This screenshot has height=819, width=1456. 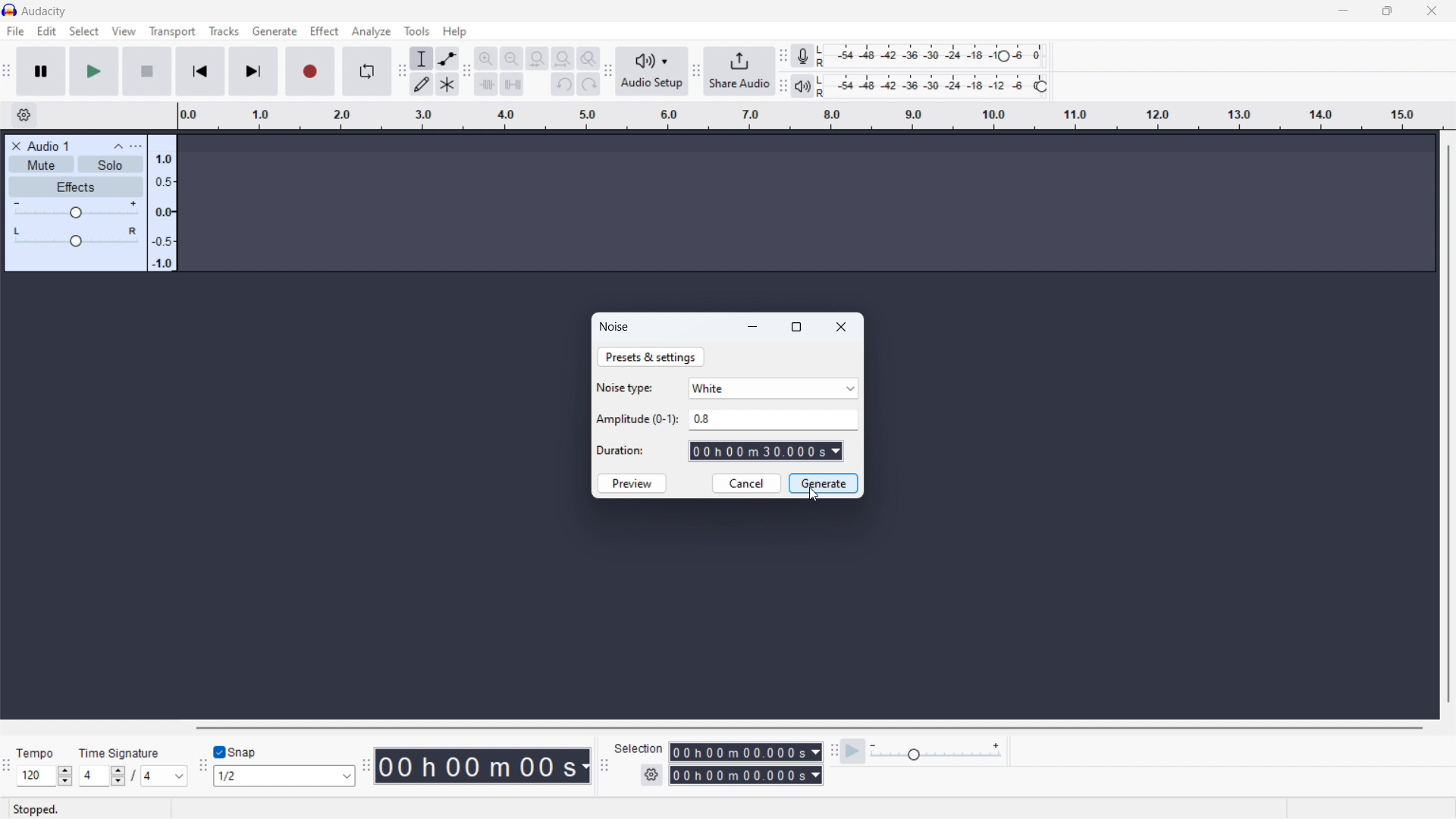 I want to click on toggle snap, so click(x=237, y=751).